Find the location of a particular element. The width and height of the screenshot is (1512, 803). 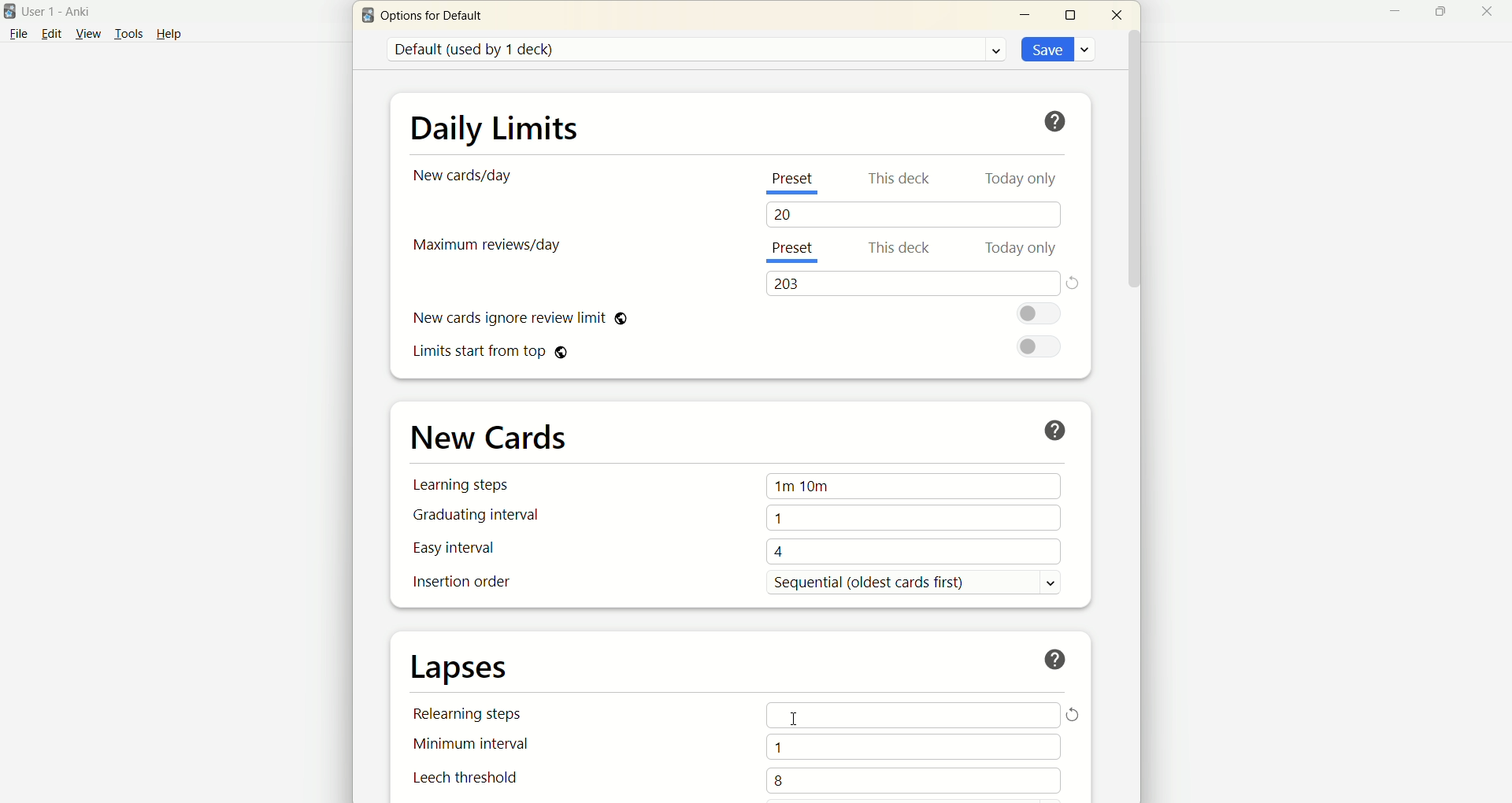

options for default is located at coordinates (436, 19).